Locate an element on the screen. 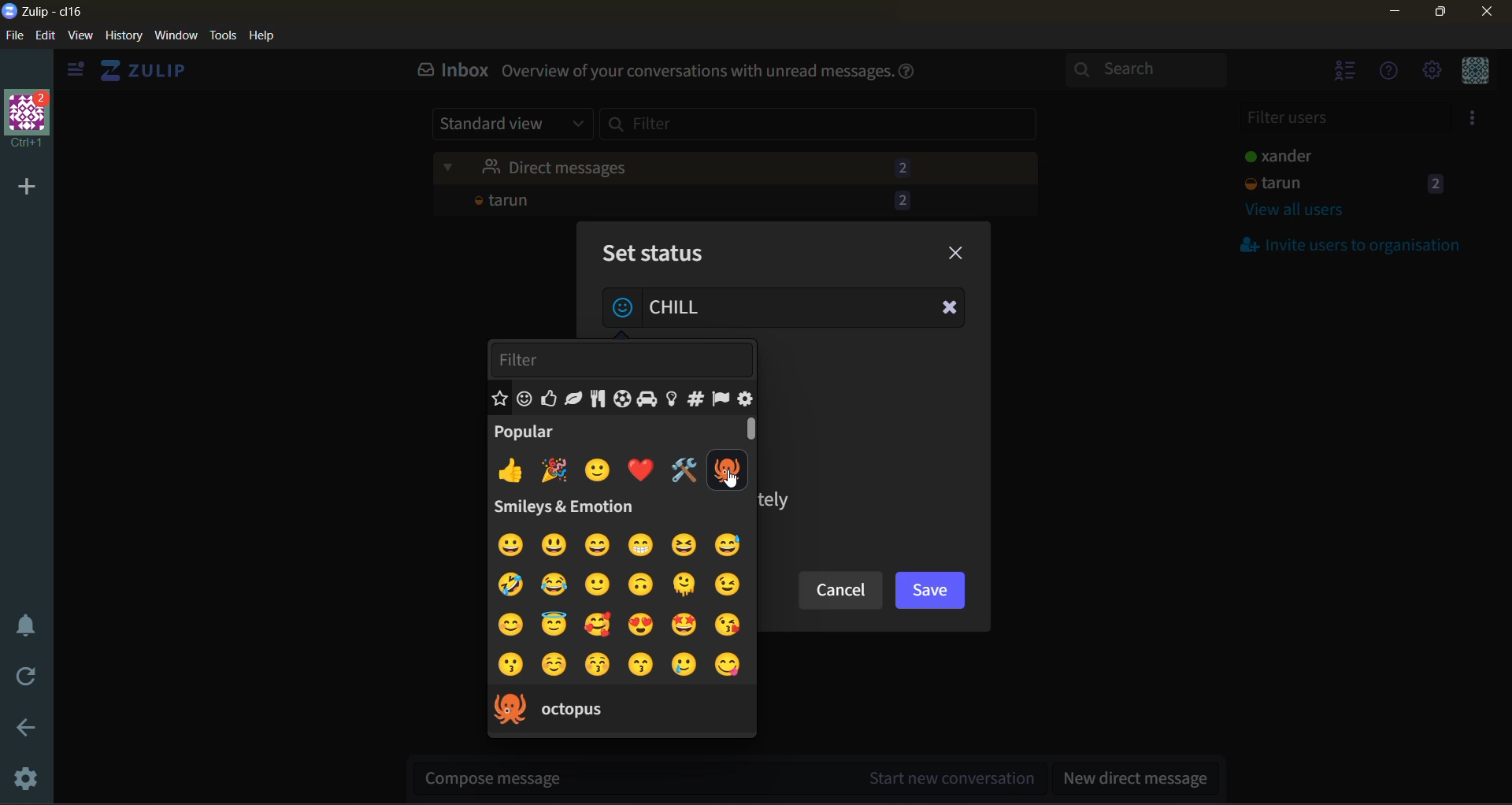  emoji is located at coordinates (548, 397).